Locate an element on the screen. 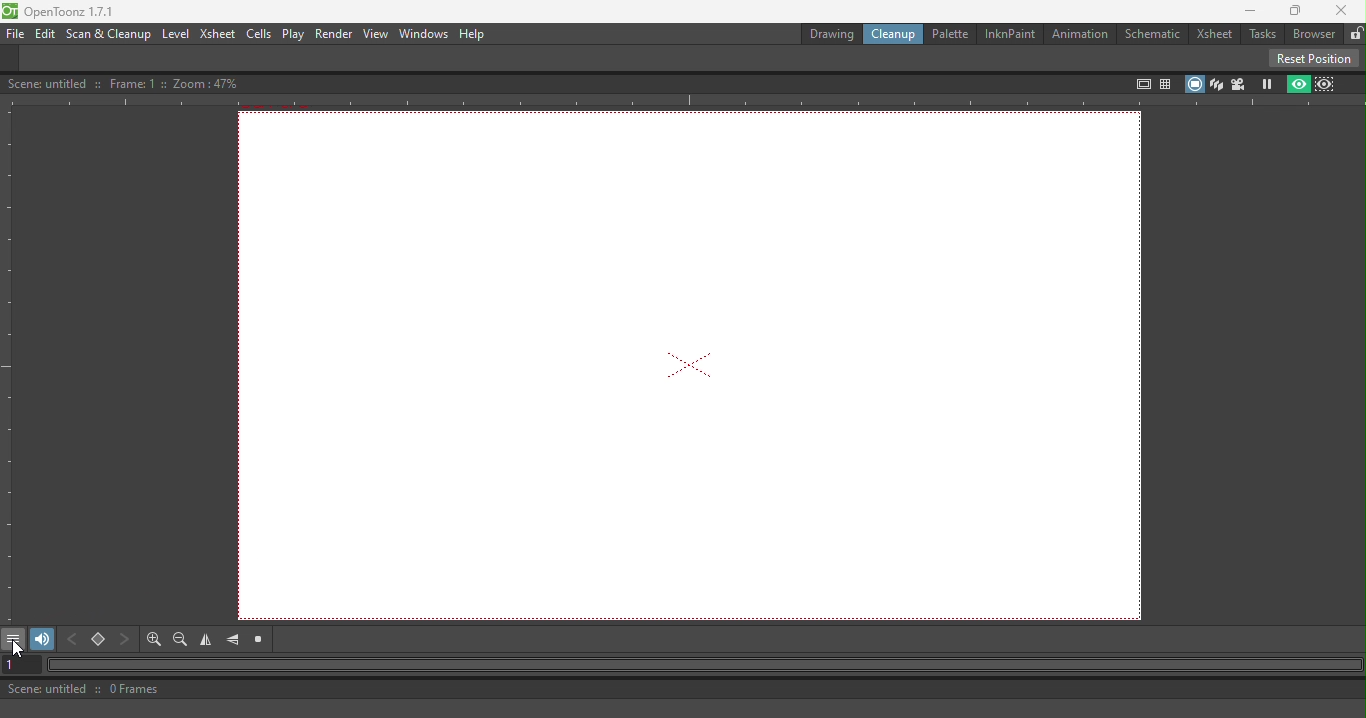  Lock rooms tab is located at coordinates (1352, 32).